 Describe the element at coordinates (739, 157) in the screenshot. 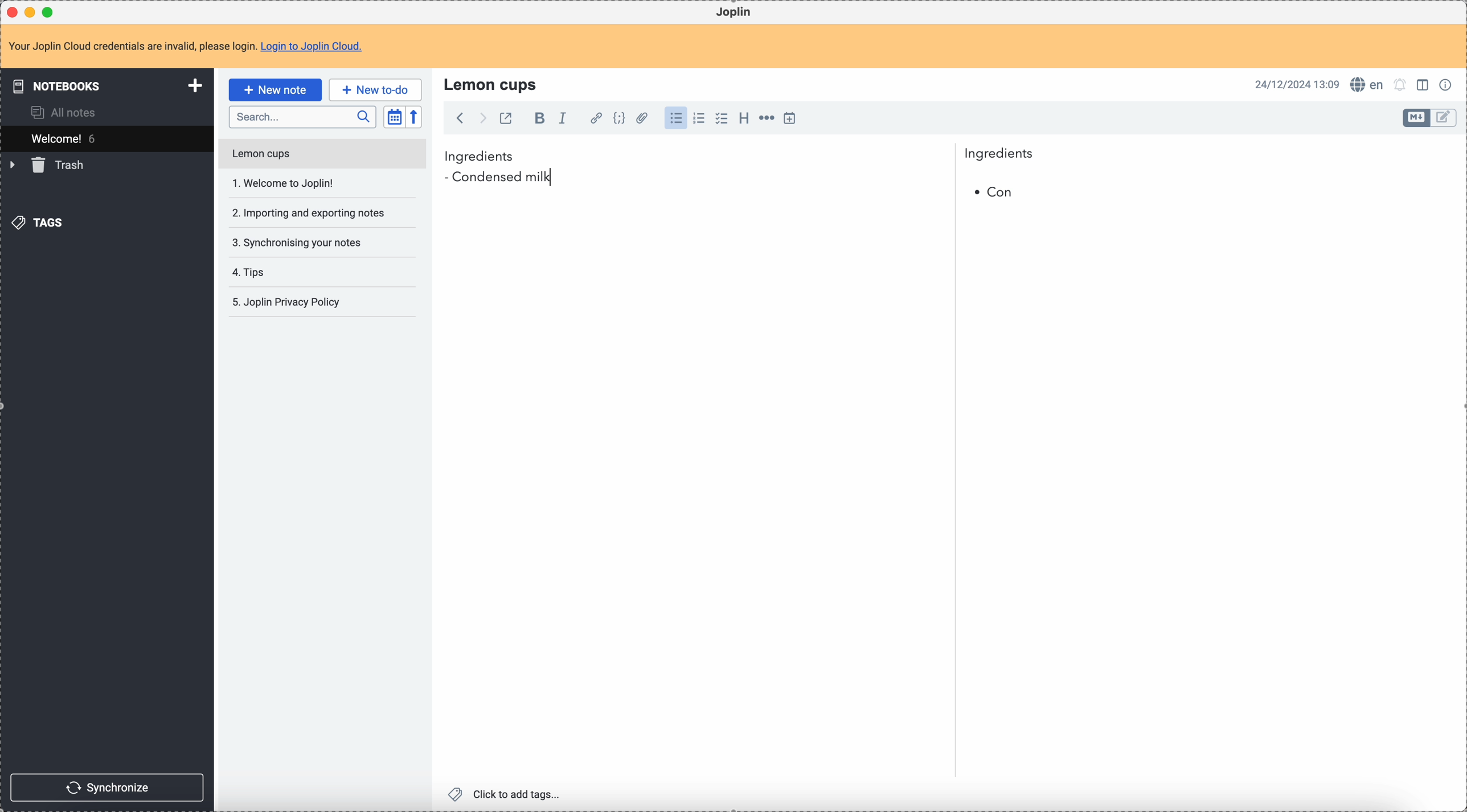

I see `ingredients normal typo` at that location.